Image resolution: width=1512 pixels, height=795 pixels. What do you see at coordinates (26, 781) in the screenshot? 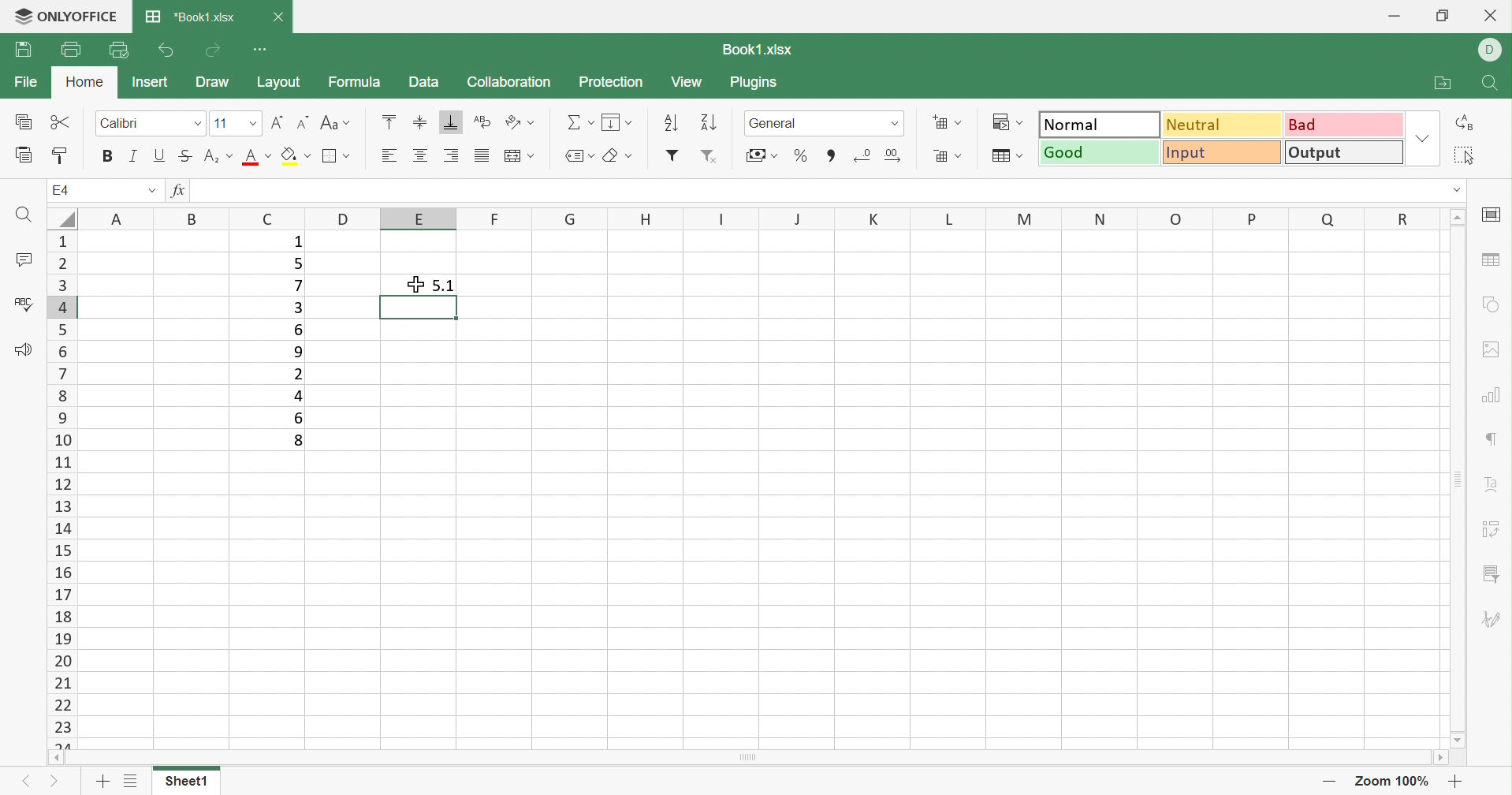
I see `Previous` at bounding box center [26, 781].